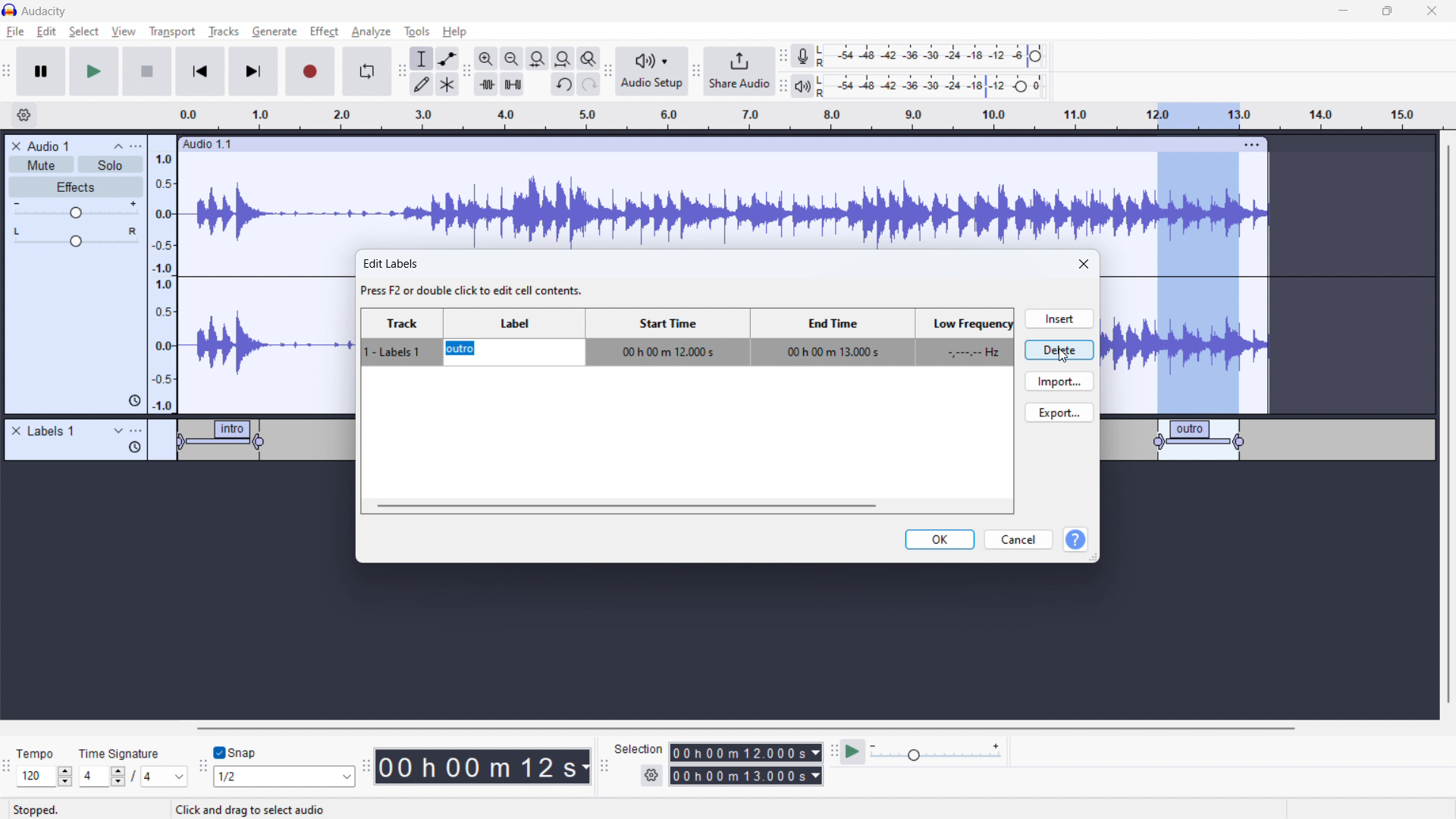 The image size is (1456, 819). Describe the element at coordinates (803, 56) in the screenshot. I see `recording meter` at that location.